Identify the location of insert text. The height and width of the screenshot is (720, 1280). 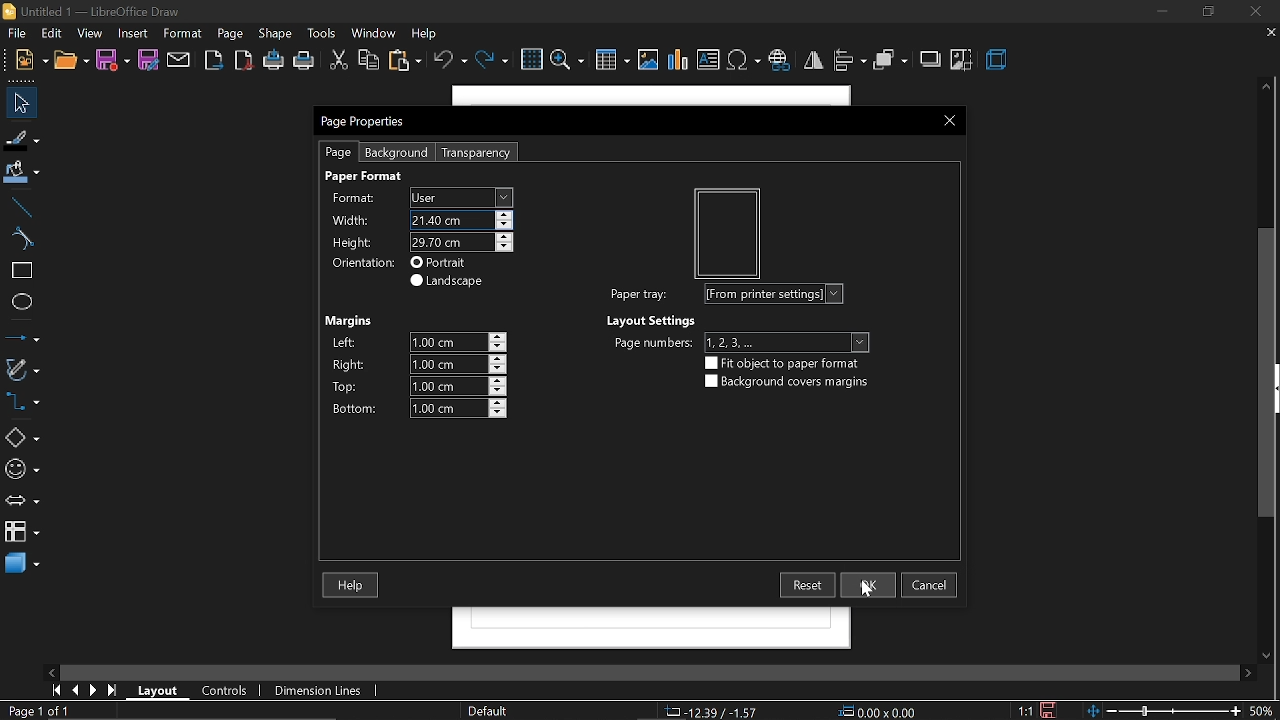
(709, 59).